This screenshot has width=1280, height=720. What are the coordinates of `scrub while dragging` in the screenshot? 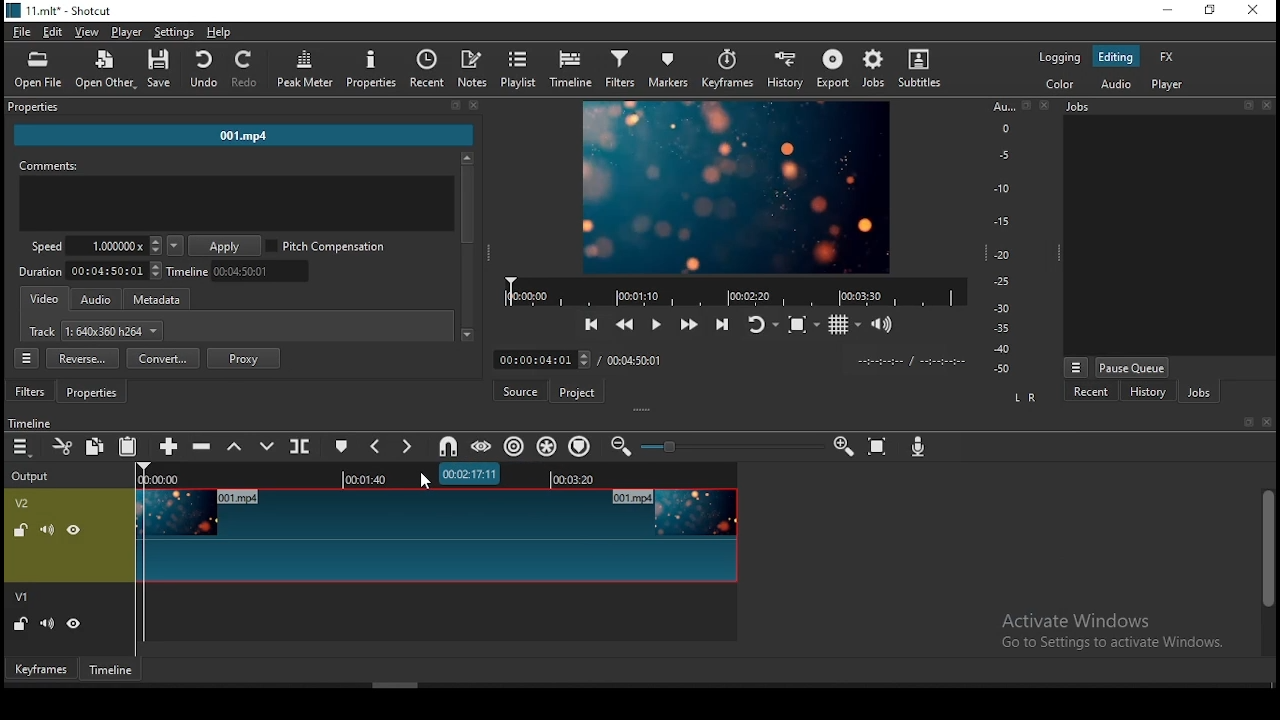 It's located at (484, 445).